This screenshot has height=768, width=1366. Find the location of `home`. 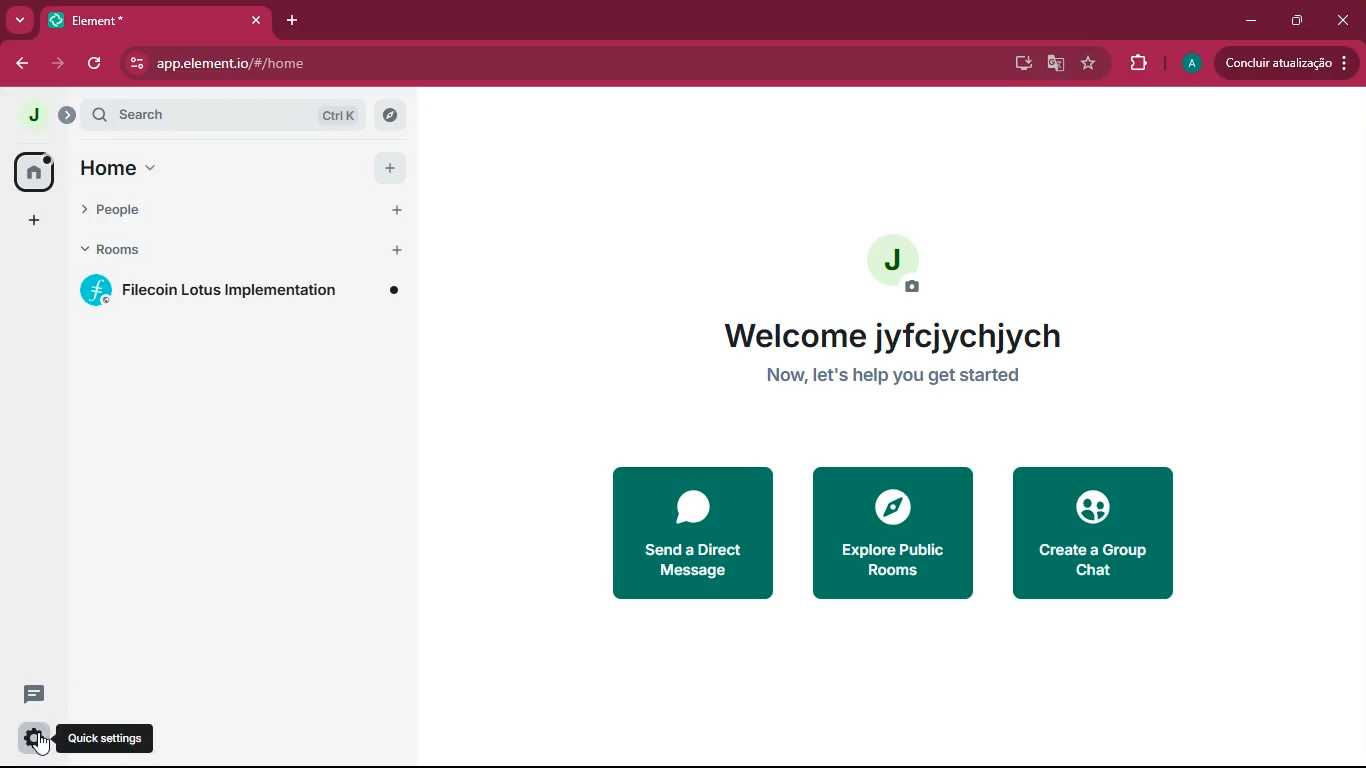

home is located at coordinates (129, 168).